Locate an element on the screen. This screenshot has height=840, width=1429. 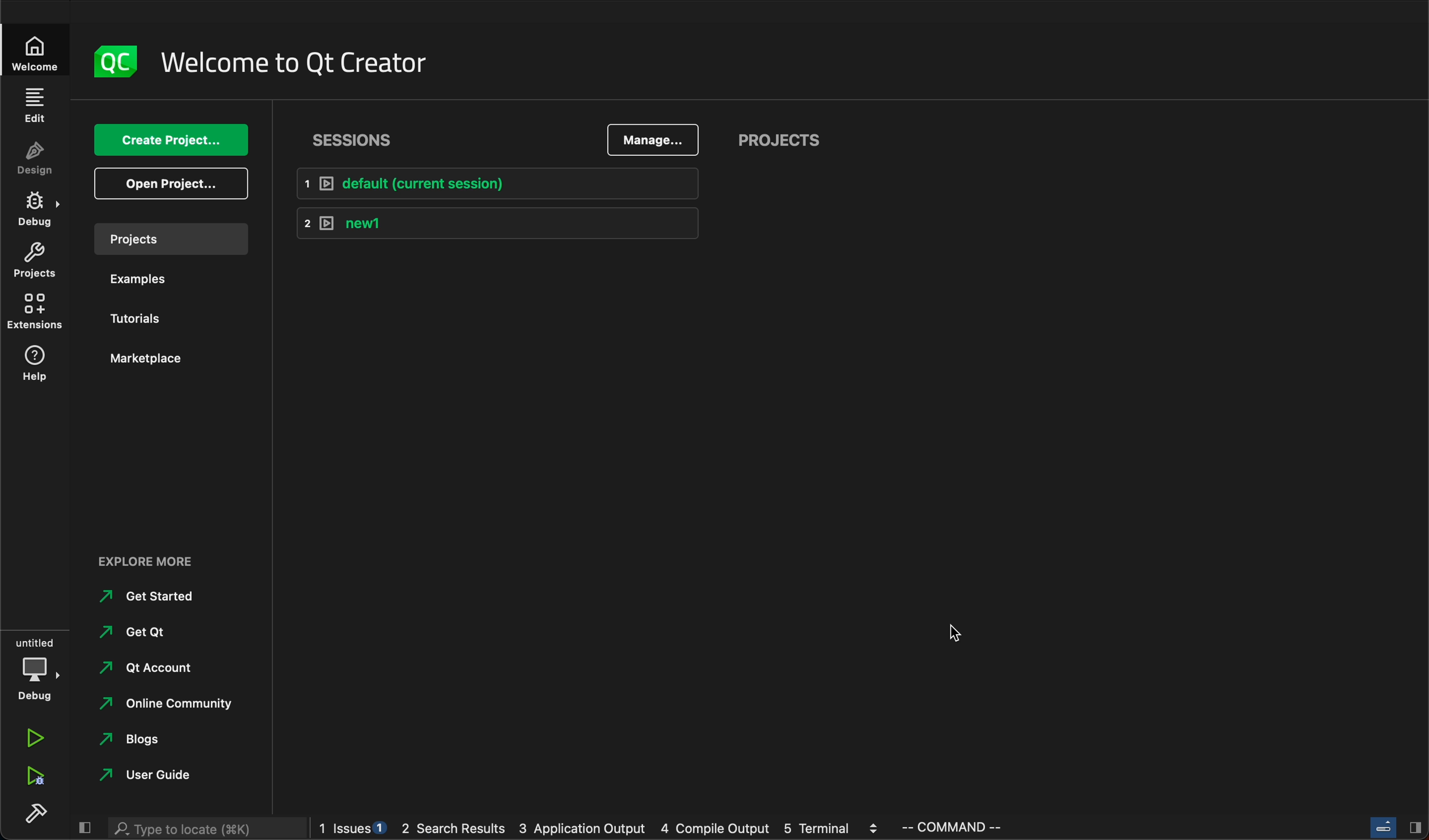
command is located at coordinates (969, 828).